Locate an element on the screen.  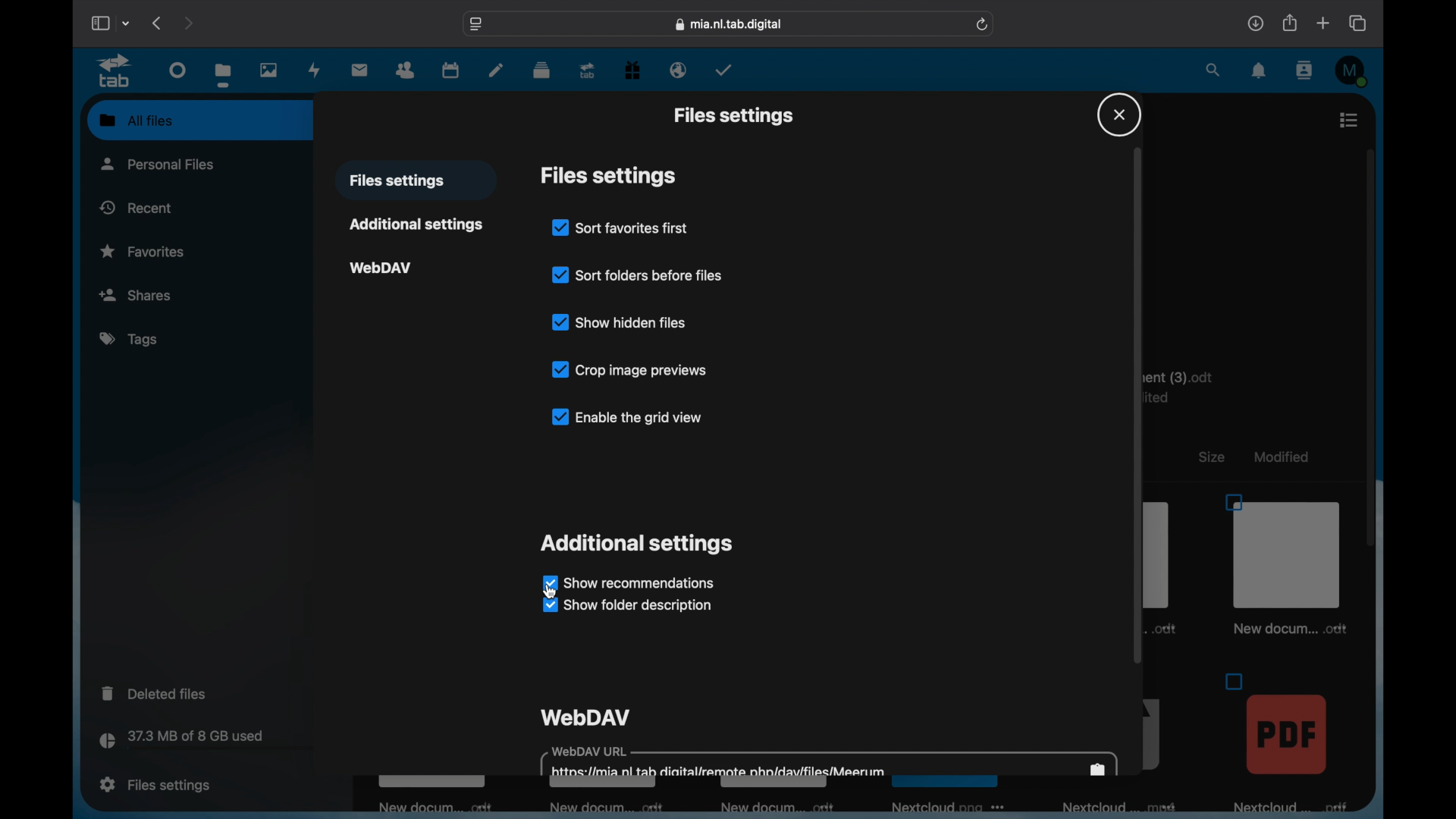
recent is located at coordinates (137, 207).